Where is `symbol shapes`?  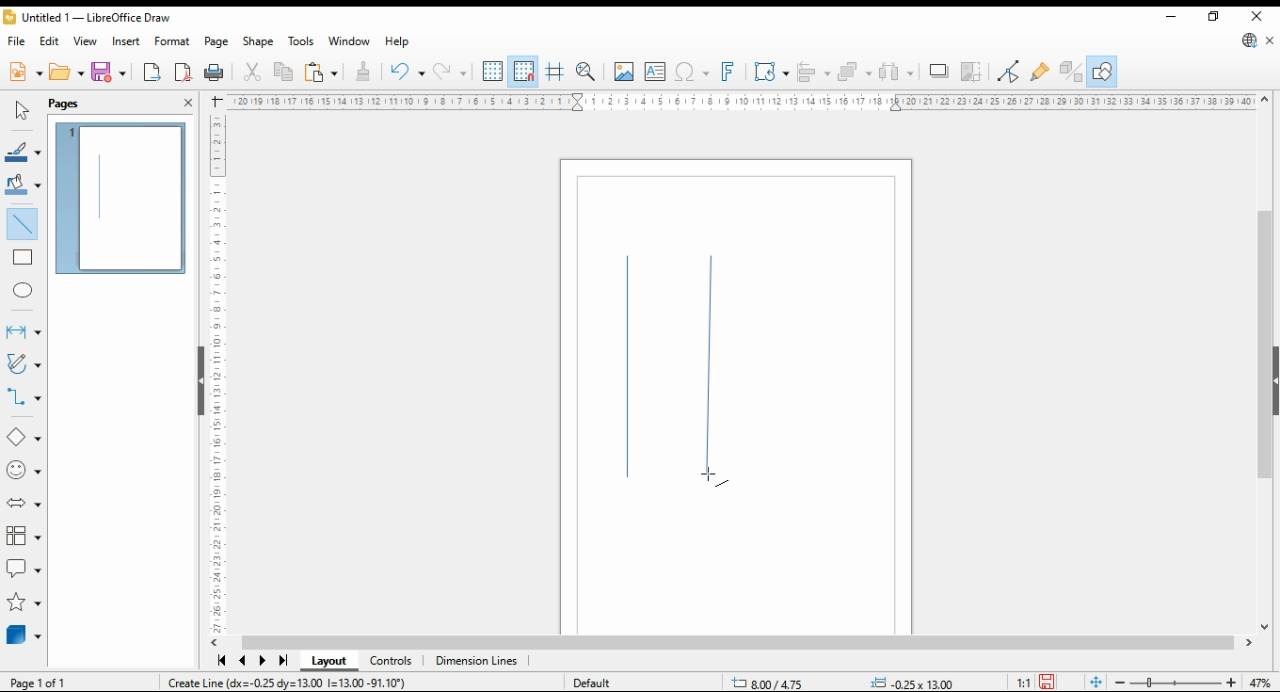 symbol shapes is located at coordinates (25, 471).